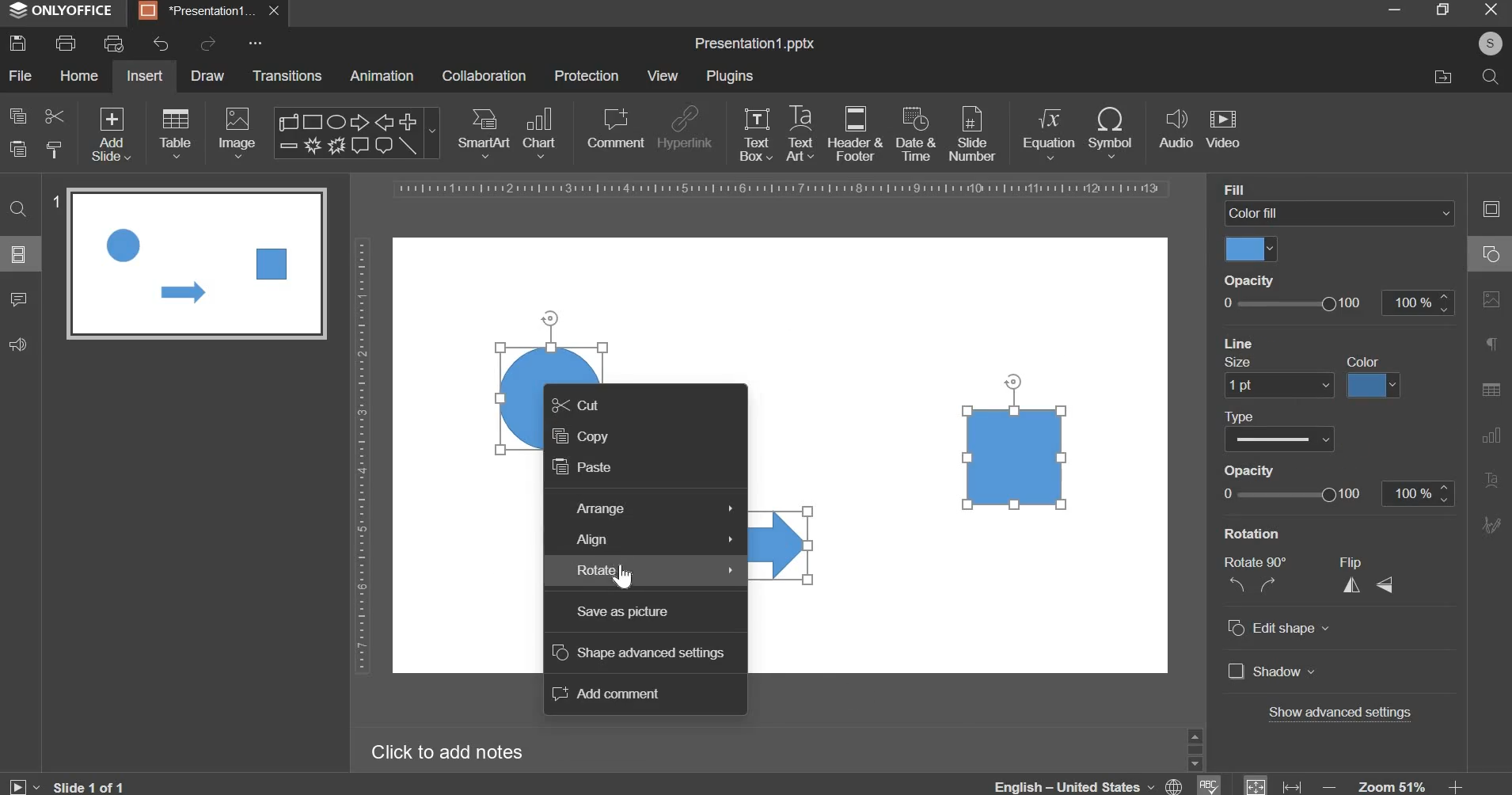  I want to click on Slide1 of 1, so click(90, 786).